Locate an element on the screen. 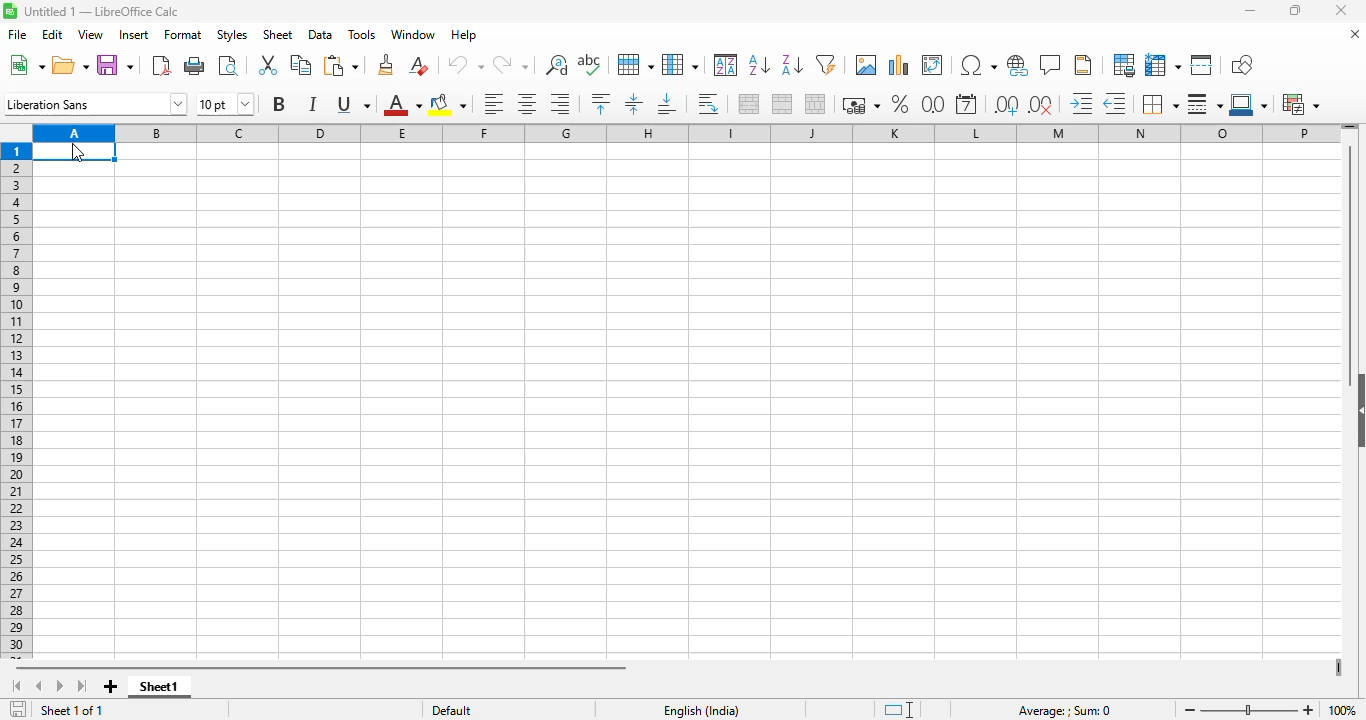 The height and width of the screenshot is (720, 1366). align right is located at coordinates (559, 105).